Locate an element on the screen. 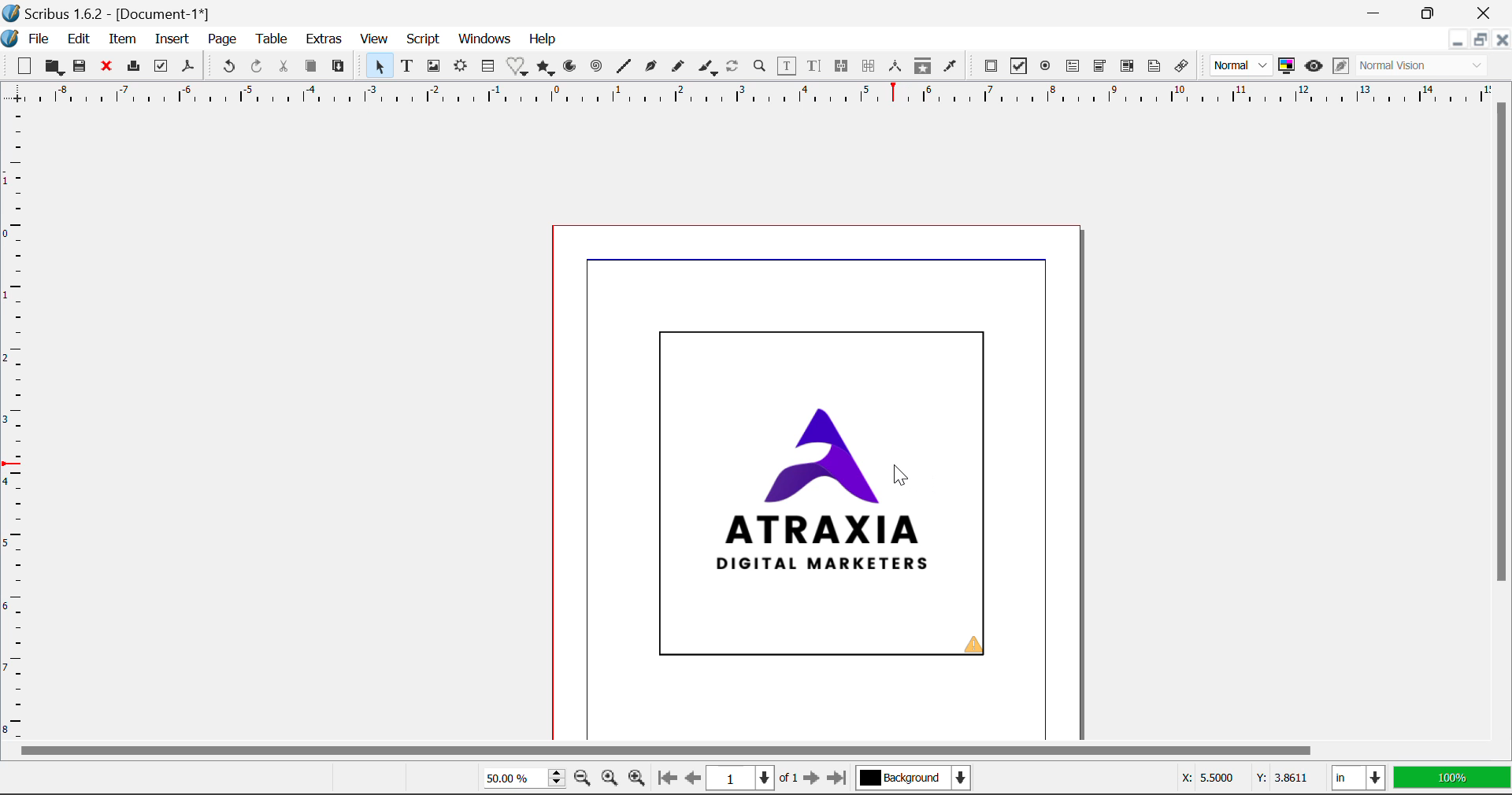  New is located at coordinates (23, 67).